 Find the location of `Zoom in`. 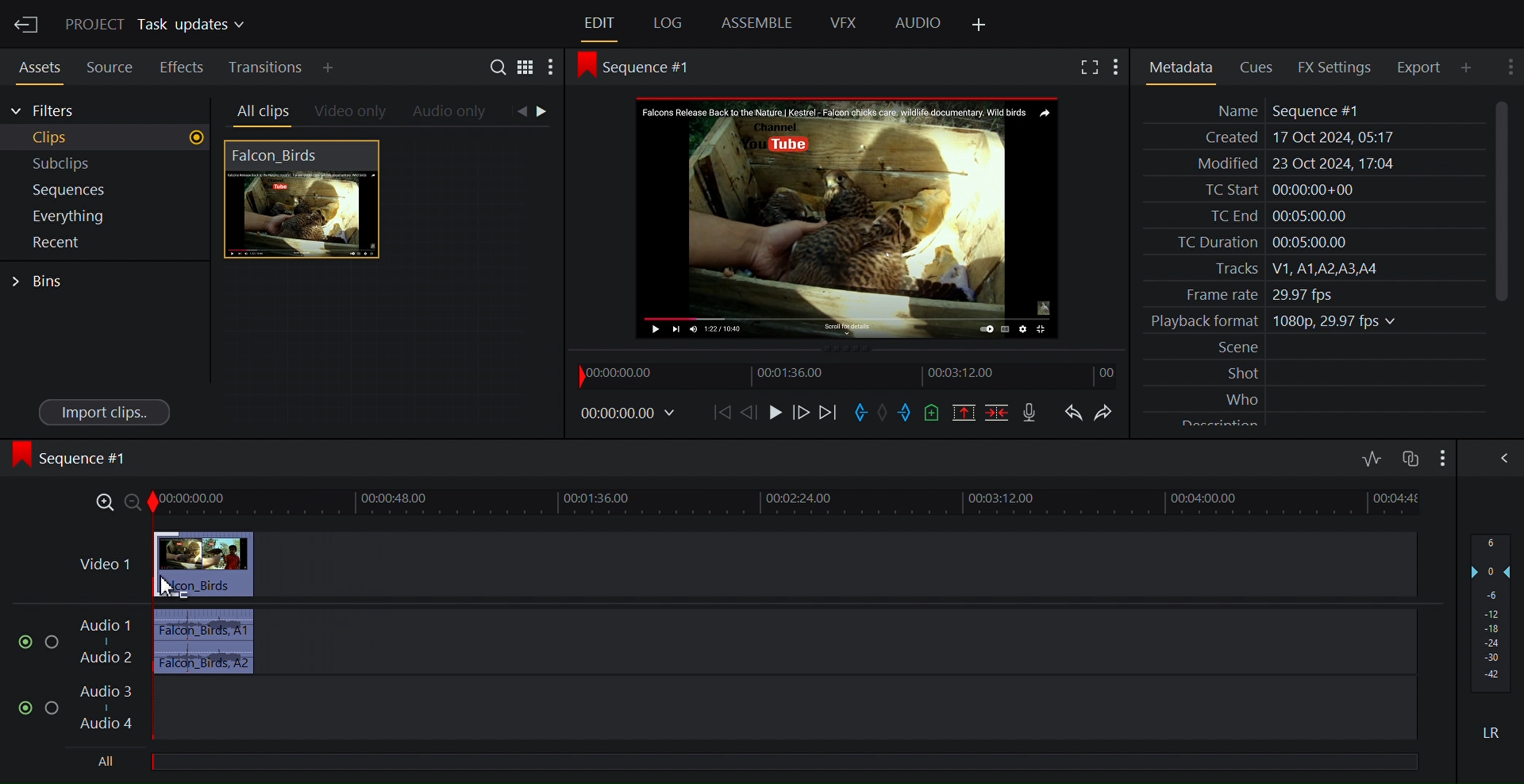

Zoom in is located at coordinates (98, 504).